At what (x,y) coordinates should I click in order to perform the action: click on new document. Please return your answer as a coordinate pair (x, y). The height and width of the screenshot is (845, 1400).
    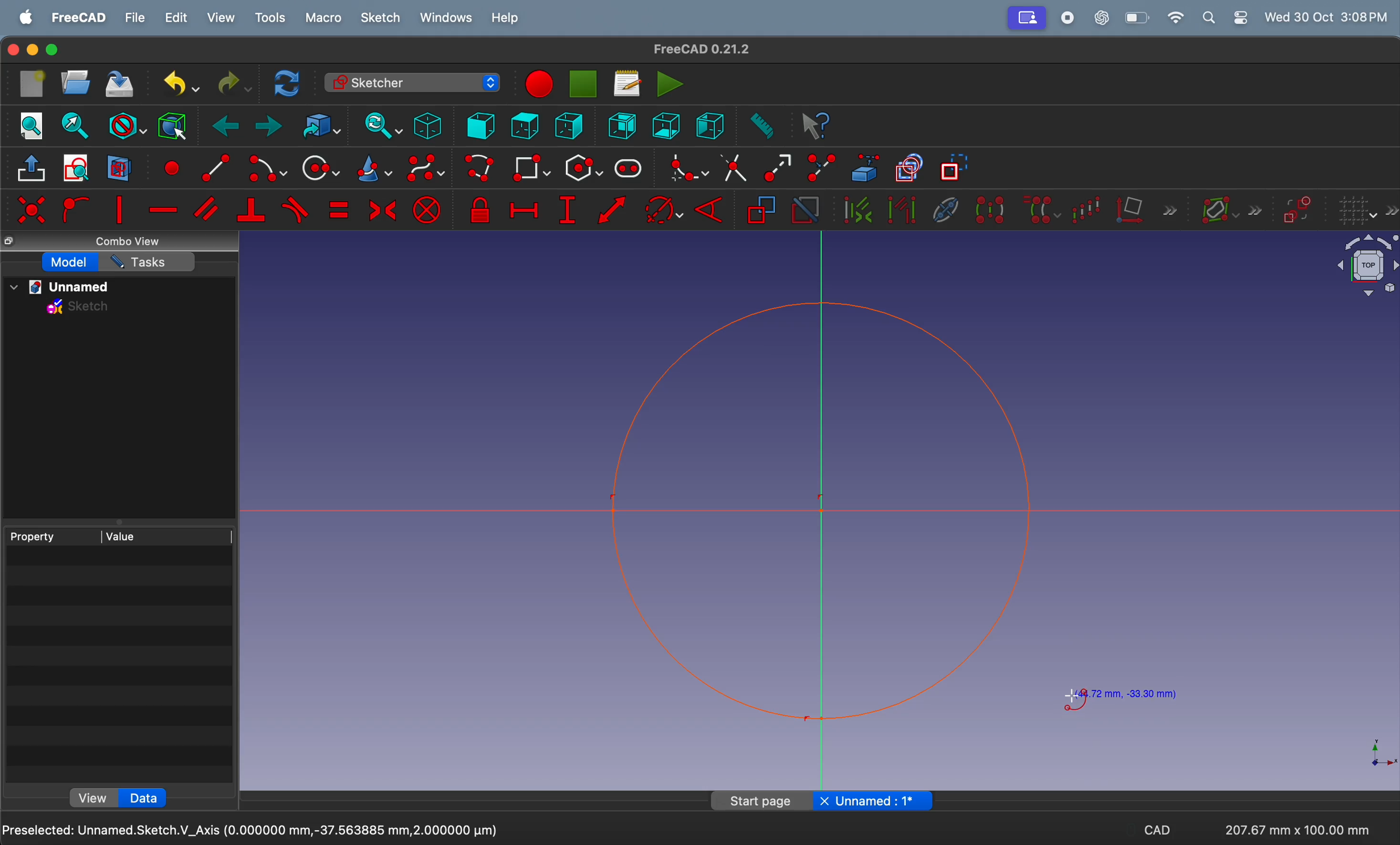
    Looking at the image, I should click on (34, 84).